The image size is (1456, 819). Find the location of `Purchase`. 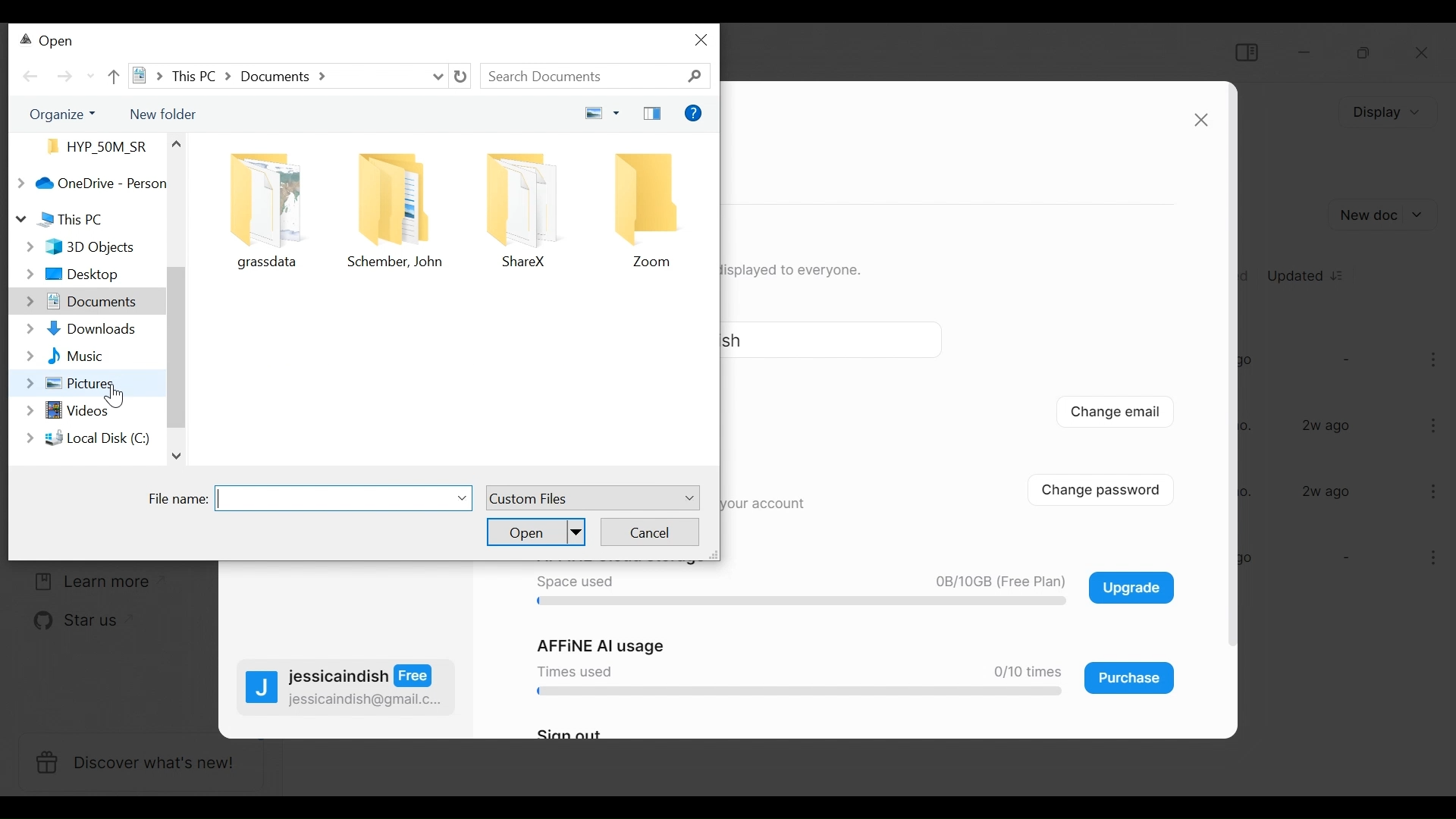

Purchase is located at coordinates (1130, 678).